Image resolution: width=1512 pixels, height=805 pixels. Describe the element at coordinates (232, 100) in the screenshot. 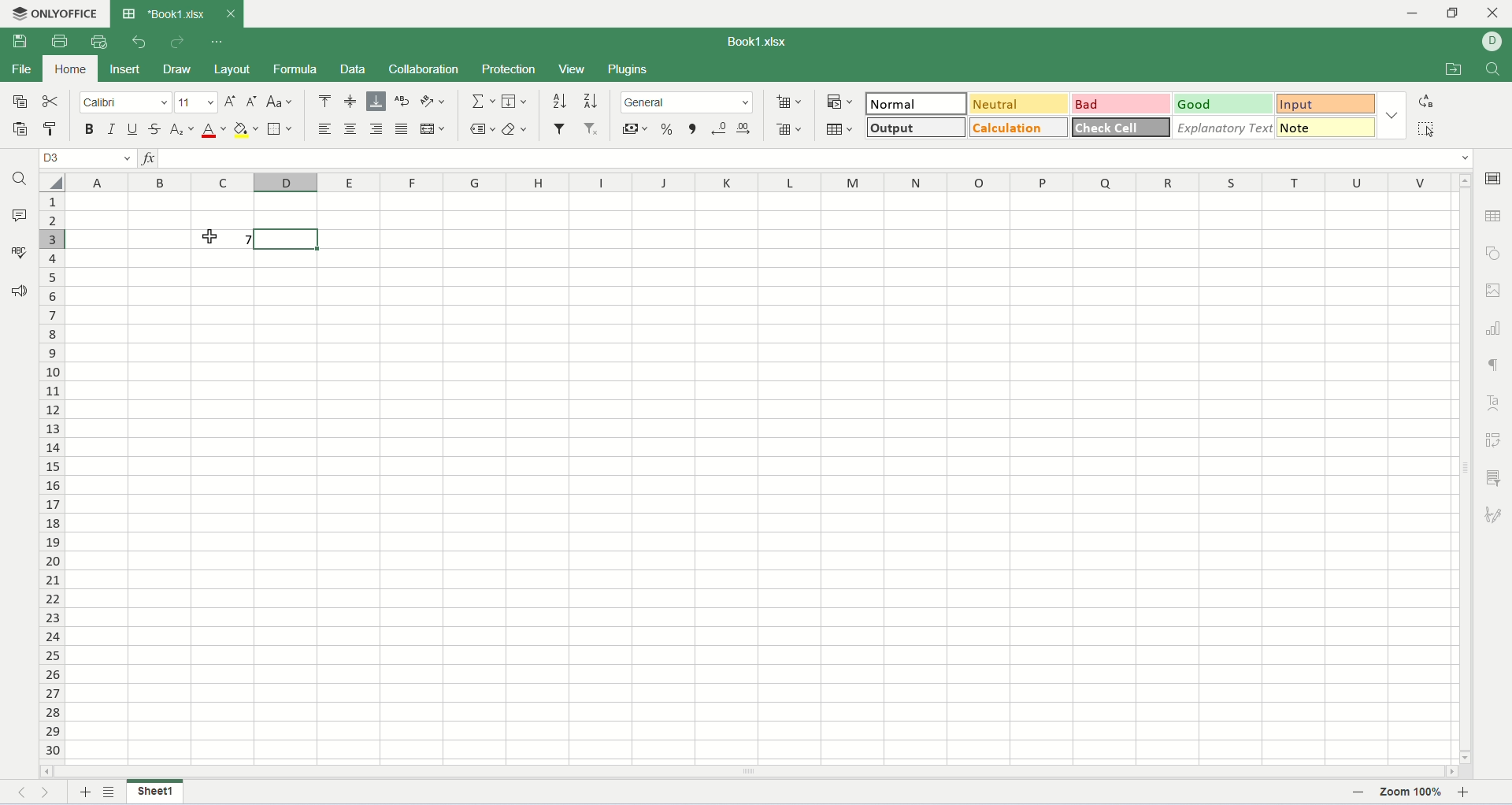

I see `increase font size` at that location.